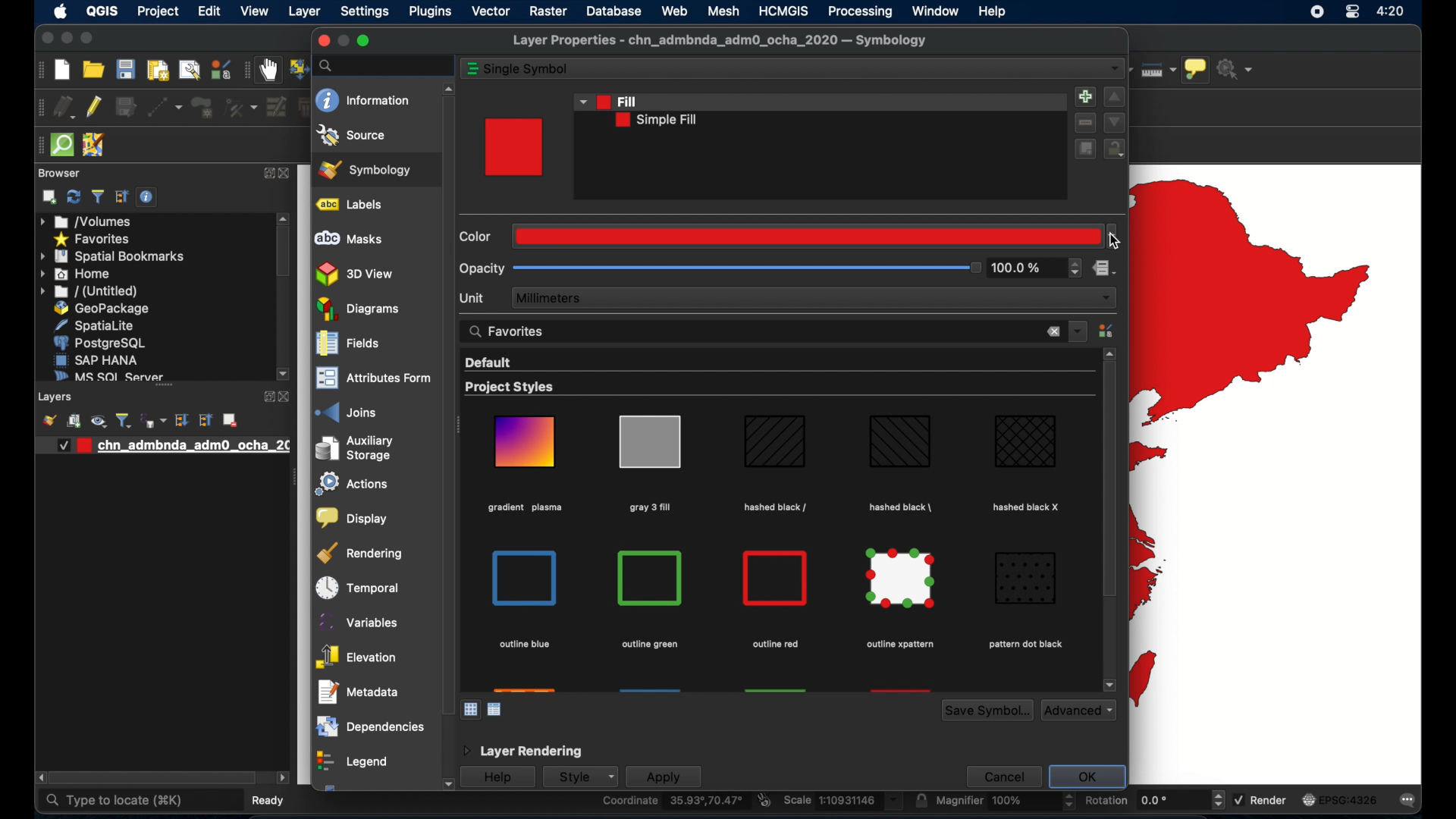 This screenshot has width=1456, height=819. Describe the element at coordinates (360, 622) in the screenshot. I see `variables` at that location.